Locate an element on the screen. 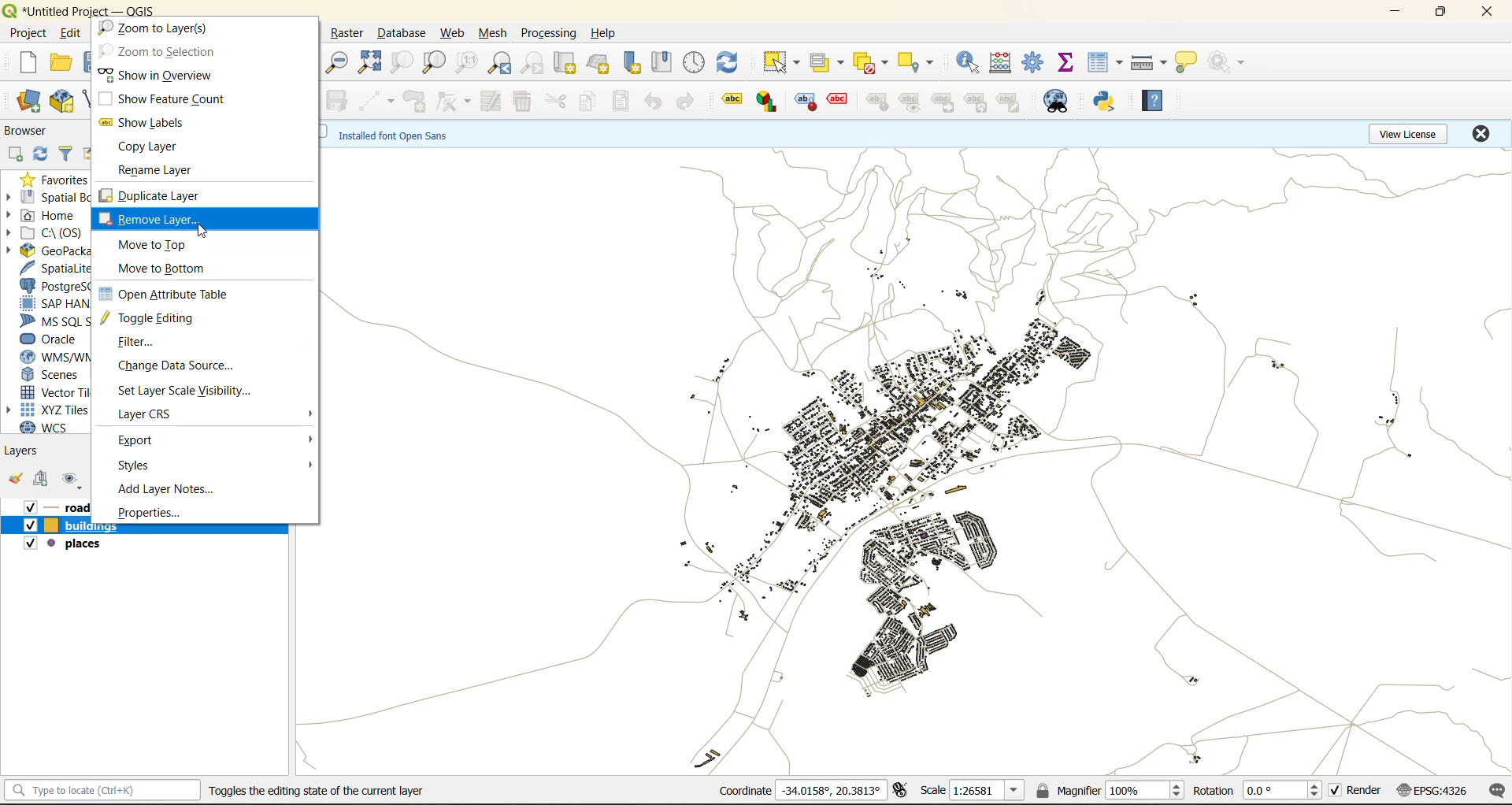 This screenshot has width=1512, height=805. zoom to selection is located at coordinates (174, 51).